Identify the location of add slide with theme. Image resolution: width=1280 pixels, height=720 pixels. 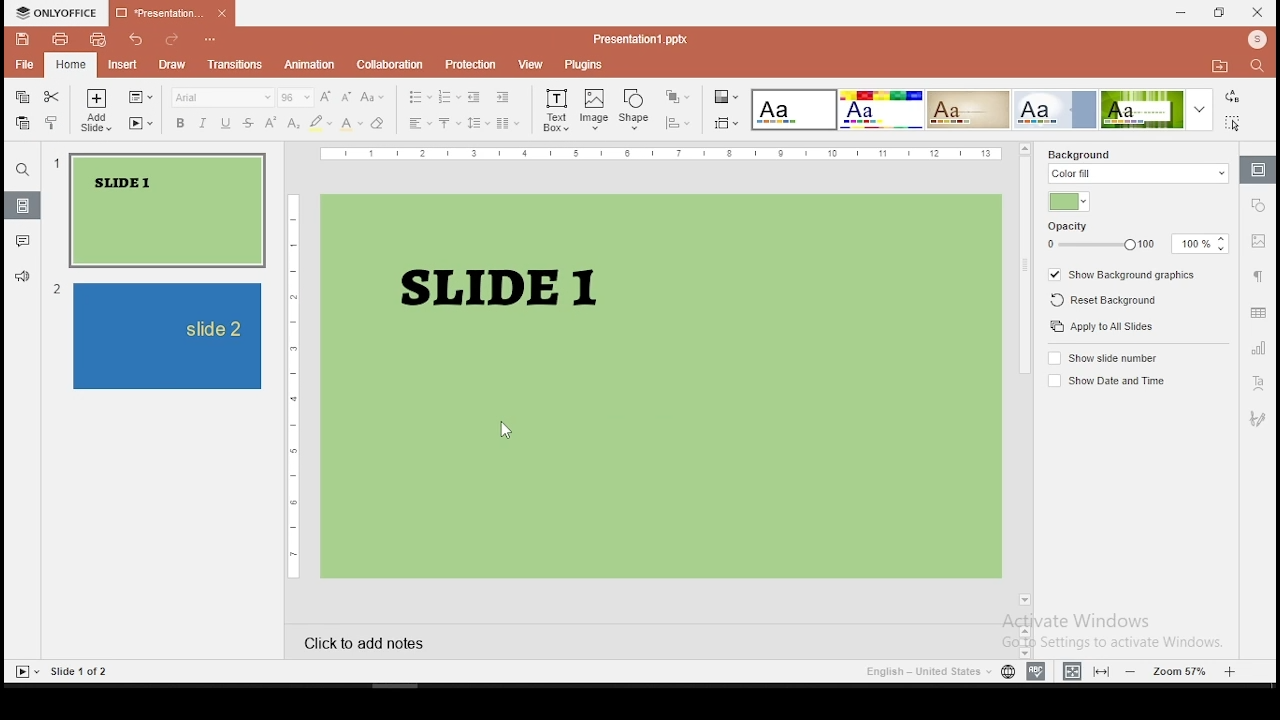
(96, 124).